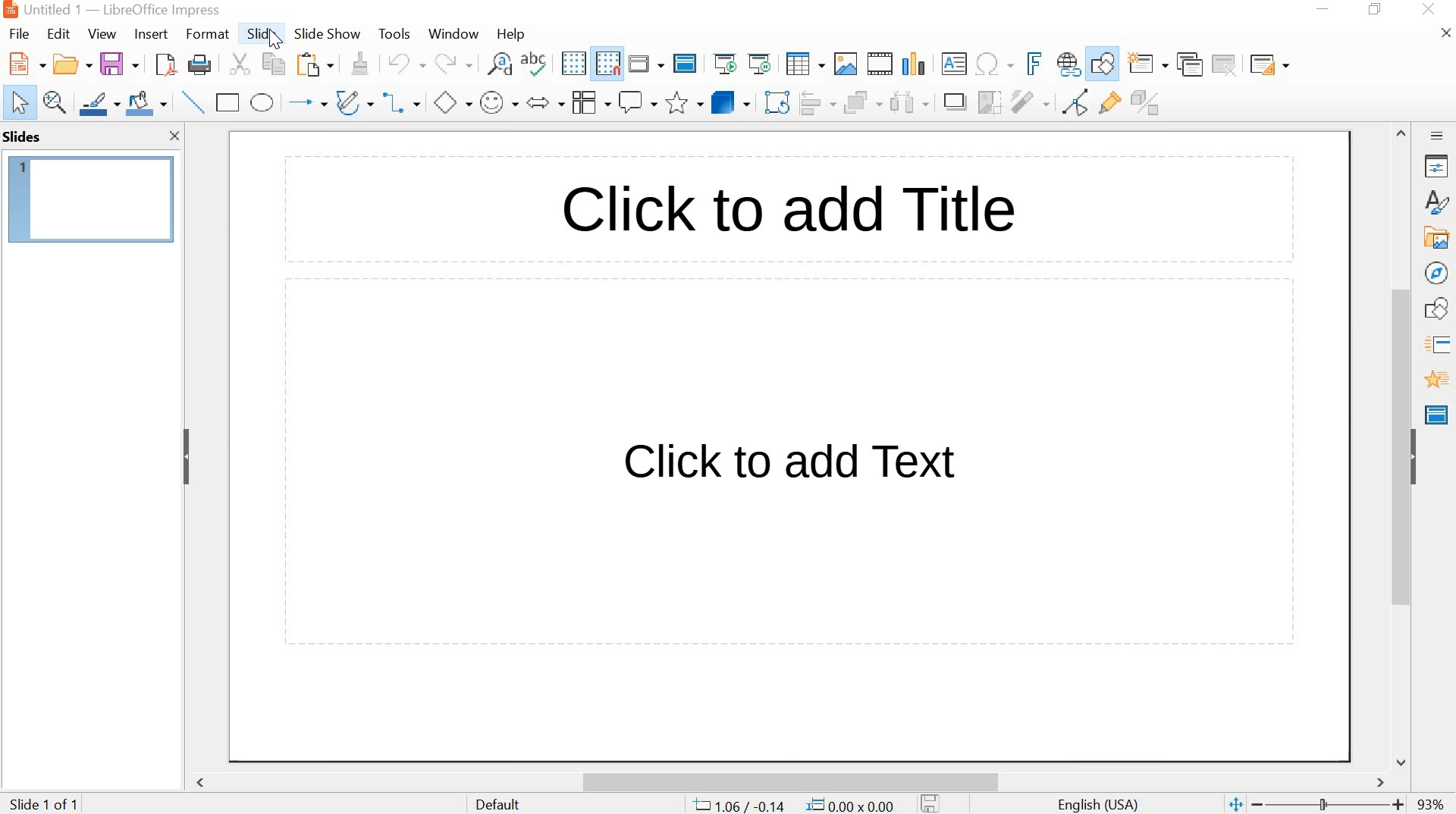 This screenshot has width=1456, height=814. What do you see at coordinates (1376, 9) in the screenshot?
I see `RESTORE DOWN` at bounding box center [1376, 9].